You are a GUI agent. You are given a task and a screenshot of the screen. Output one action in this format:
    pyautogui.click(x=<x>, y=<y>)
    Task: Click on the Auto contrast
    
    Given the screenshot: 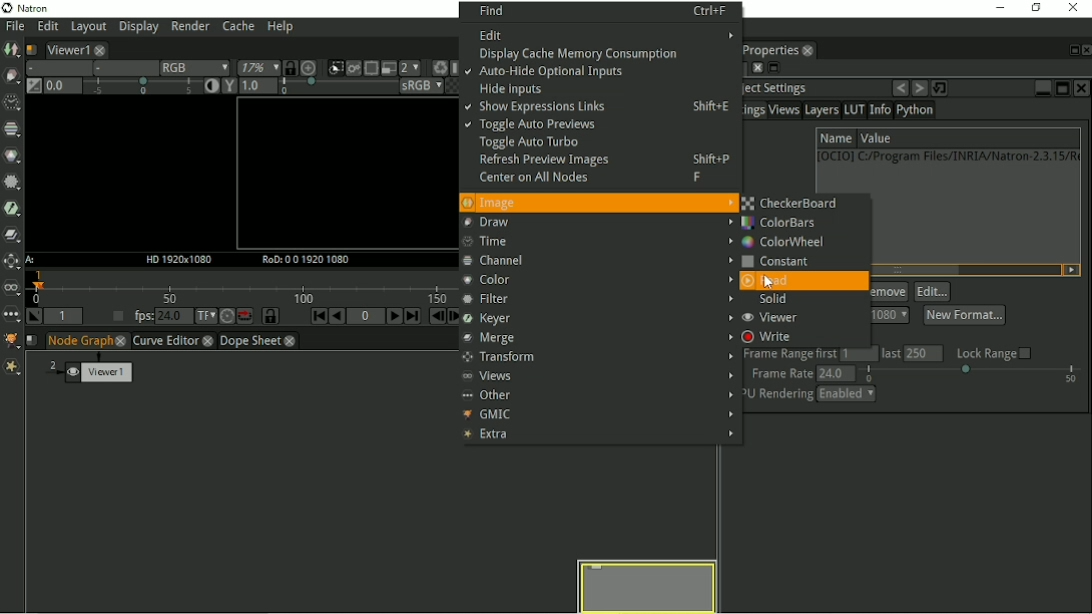 What is the action you would take?
    pyautogui.click(x=207, y=87)
    